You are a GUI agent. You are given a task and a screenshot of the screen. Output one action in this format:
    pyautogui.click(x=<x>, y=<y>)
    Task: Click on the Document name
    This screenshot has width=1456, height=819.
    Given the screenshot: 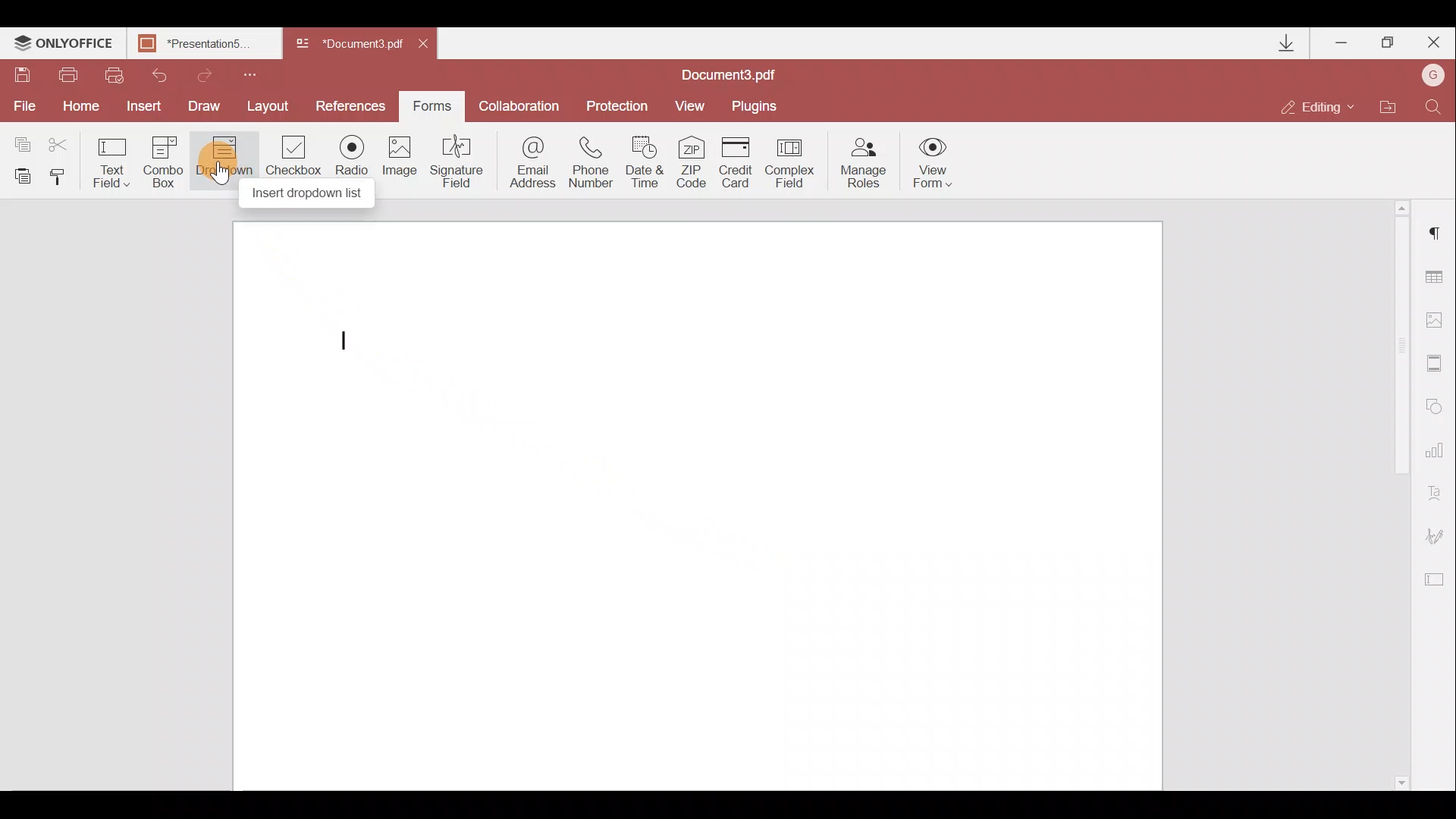 What is the action you would take?
    pyautogui.click(x=347, y=45)
    